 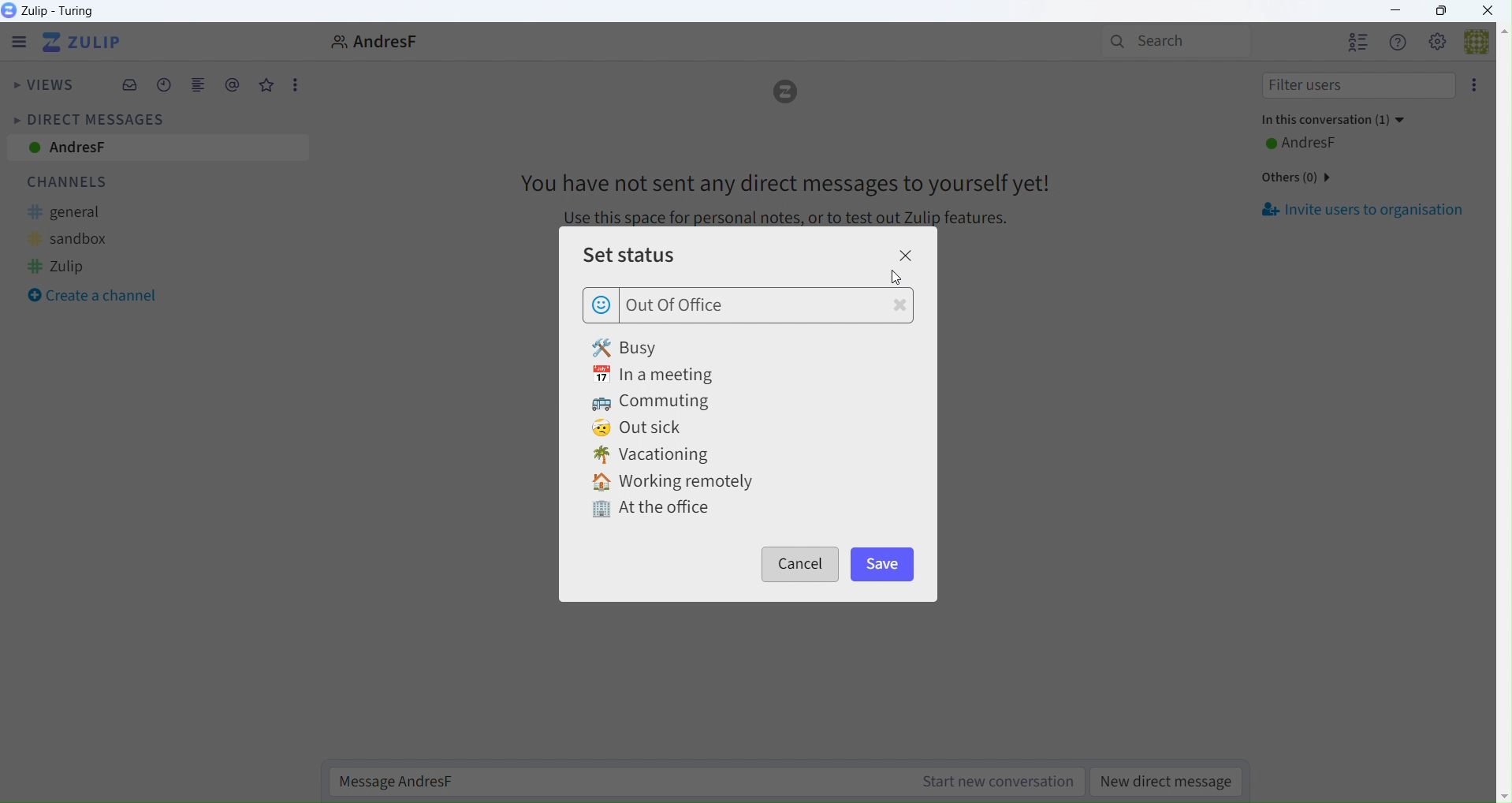 I want to click on More, so click(x=295, y=84).